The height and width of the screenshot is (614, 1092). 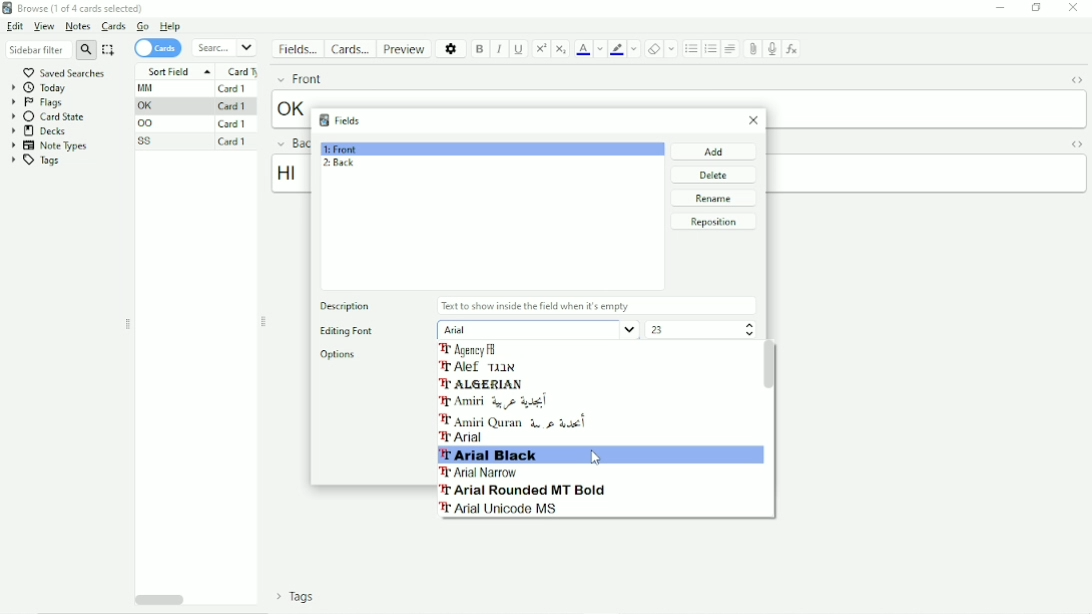 I want to click on Arial Unicode MS, so click(x=499, y=508).